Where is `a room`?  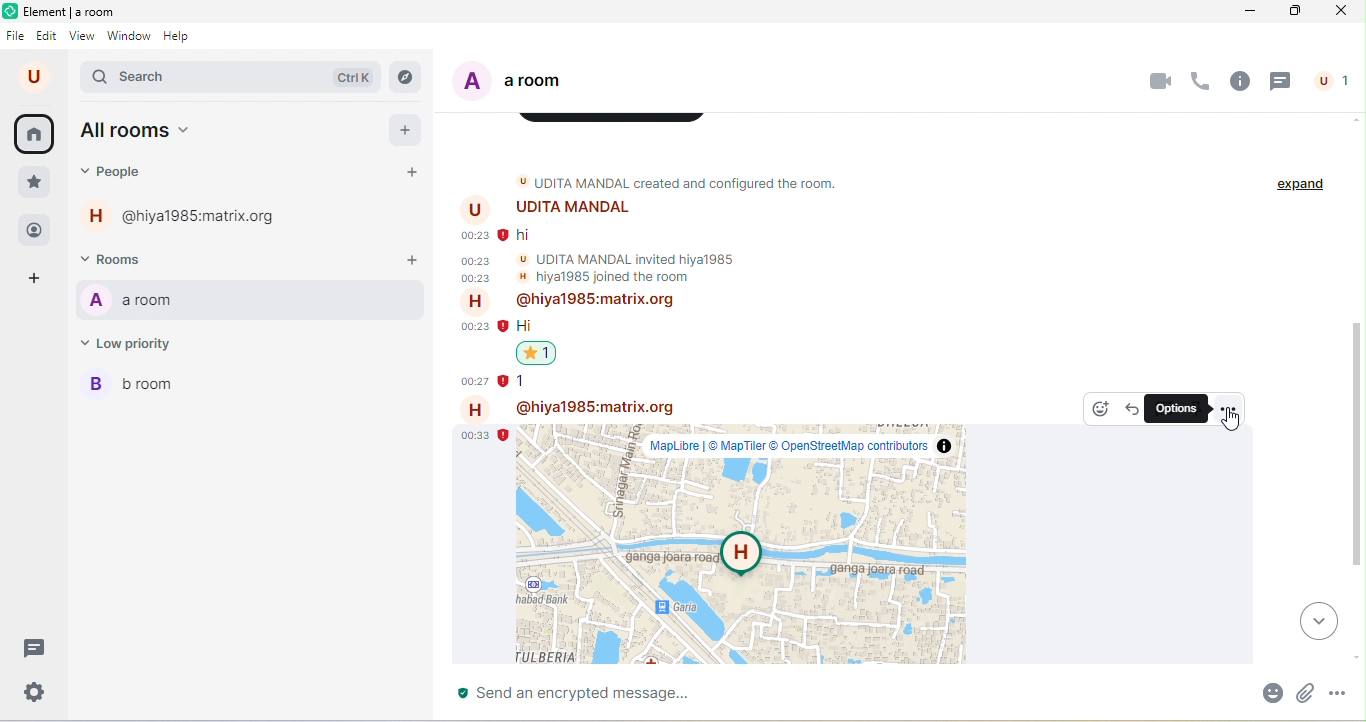
a room is located at coordinates (521, 82).